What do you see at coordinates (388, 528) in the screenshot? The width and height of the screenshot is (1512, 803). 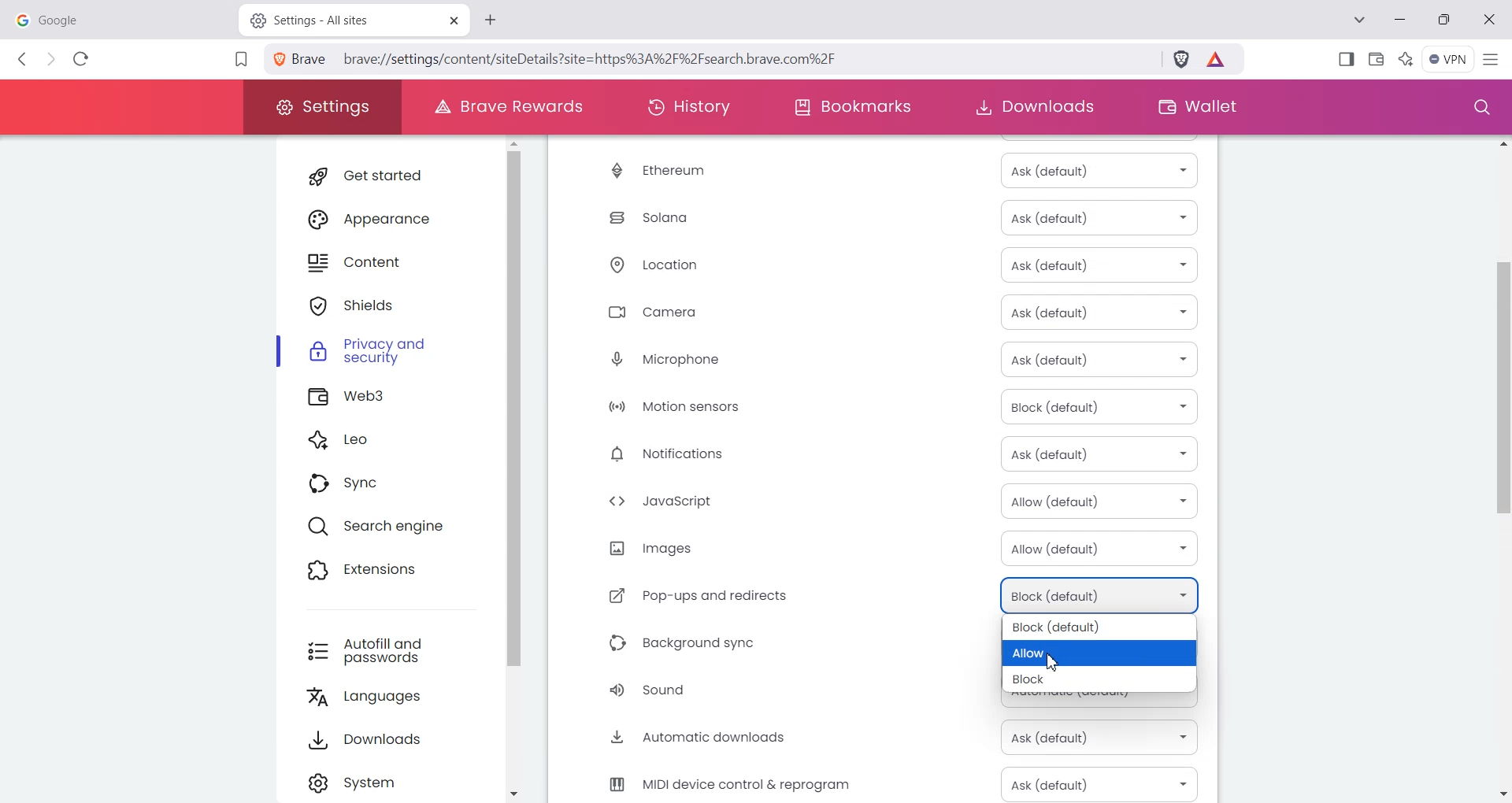 I see `Search engine` at bounding box center [388, 528].